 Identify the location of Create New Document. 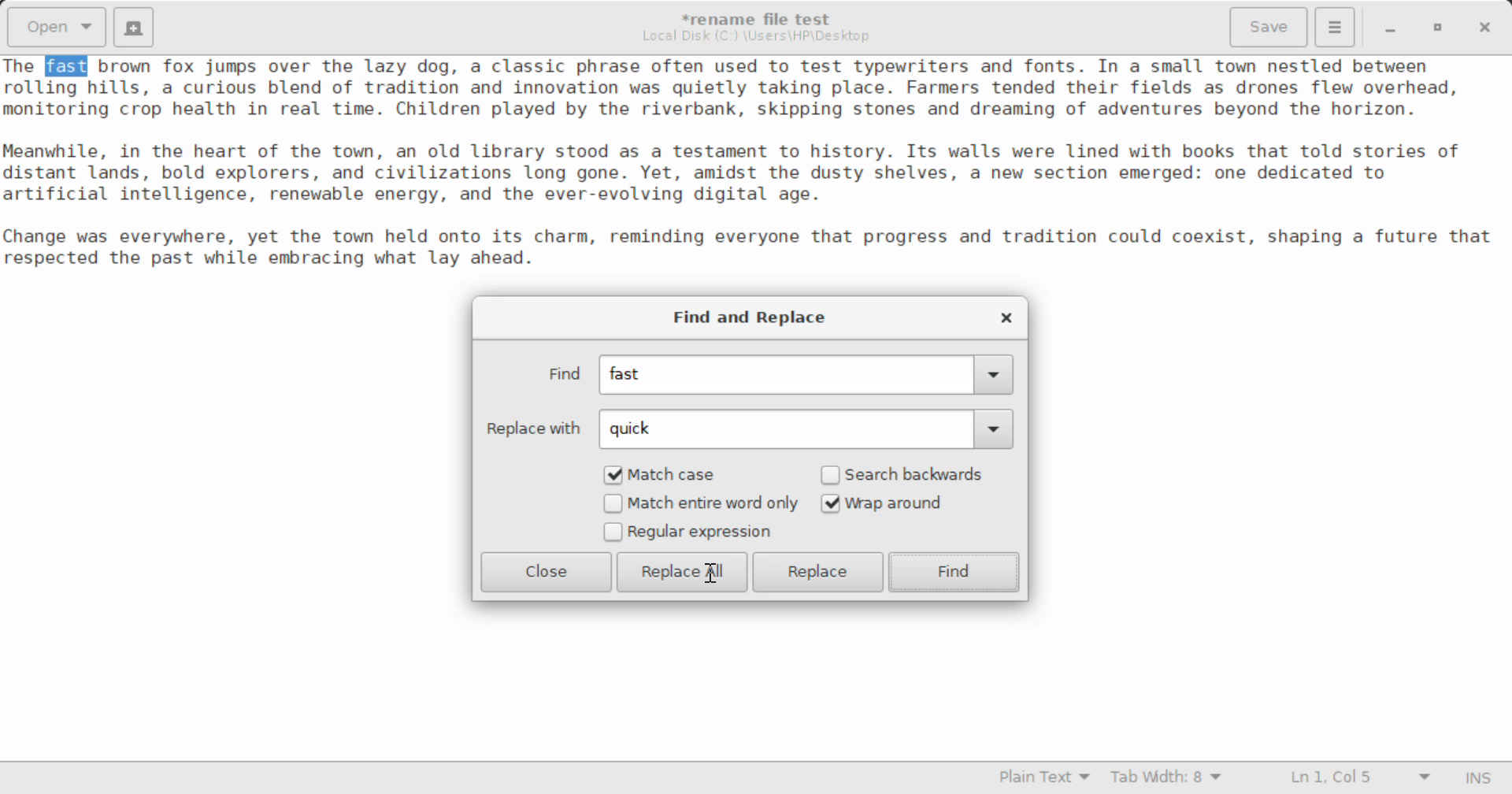
(136, 27).